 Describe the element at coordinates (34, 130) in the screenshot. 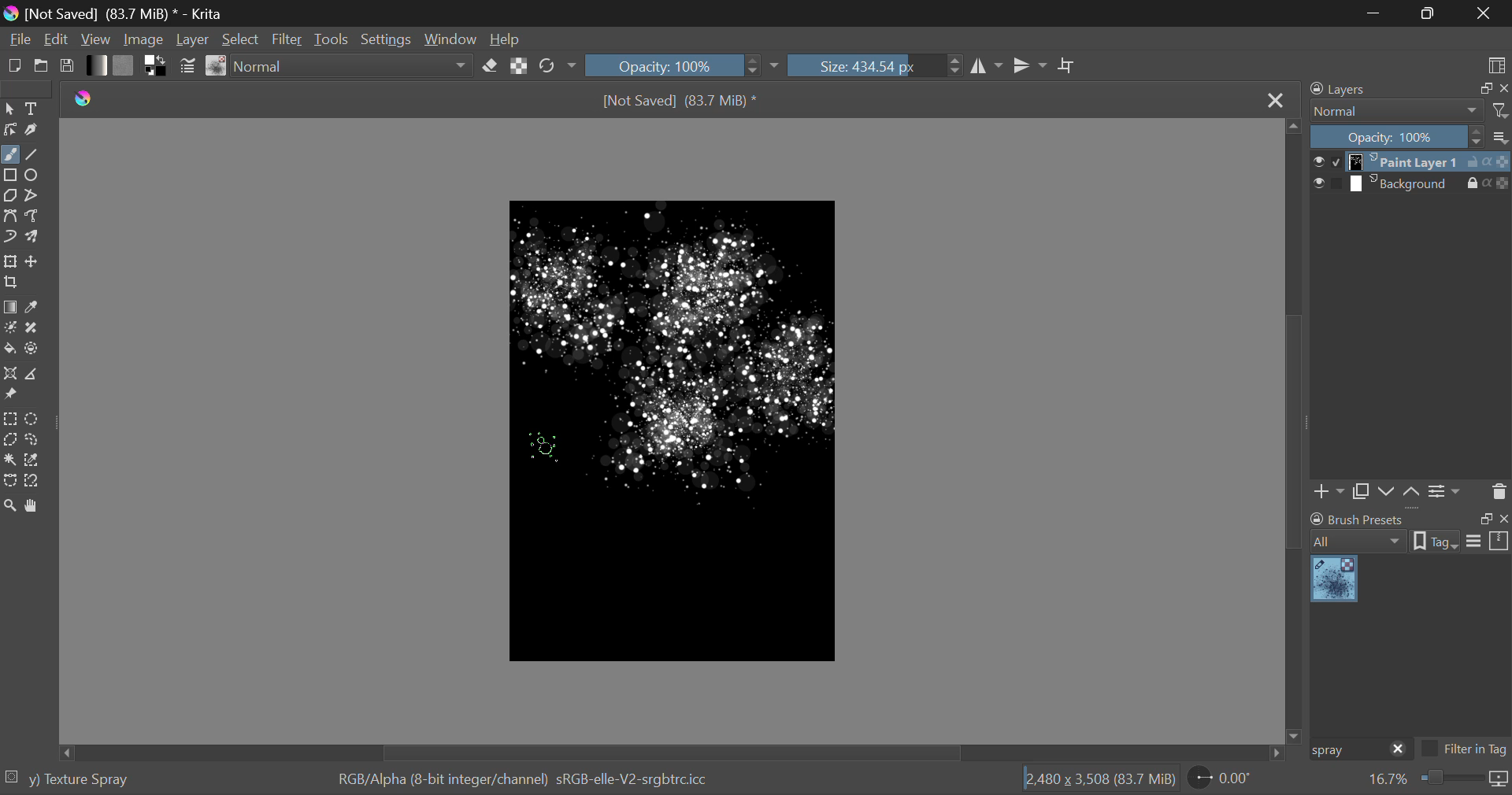

I see `Calligraphic Tool` at that location.